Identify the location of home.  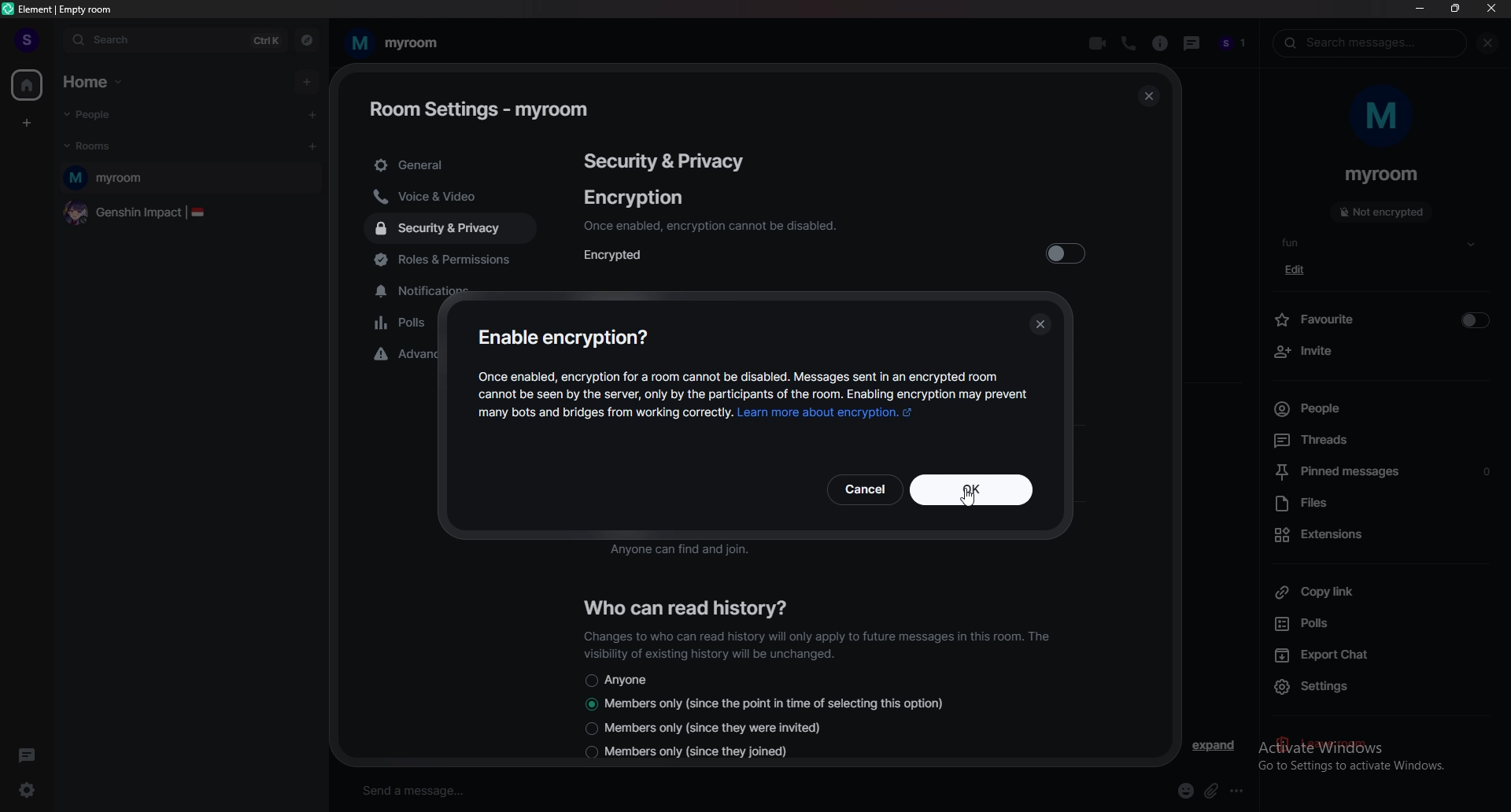
(102, 80).